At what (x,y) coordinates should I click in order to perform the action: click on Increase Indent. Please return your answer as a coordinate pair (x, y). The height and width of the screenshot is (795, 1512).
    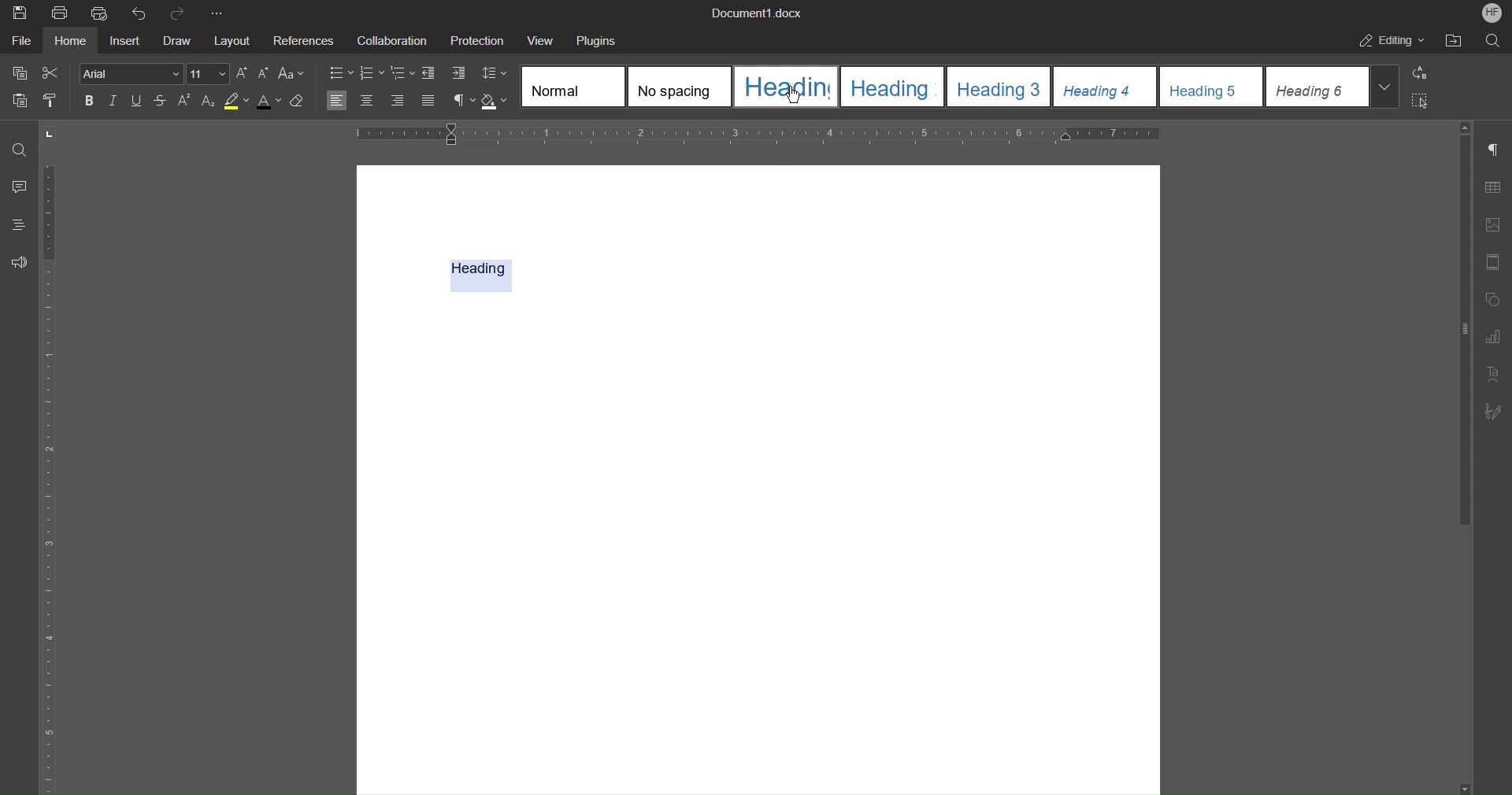
    Looking at the image, I should click on (460, 72).